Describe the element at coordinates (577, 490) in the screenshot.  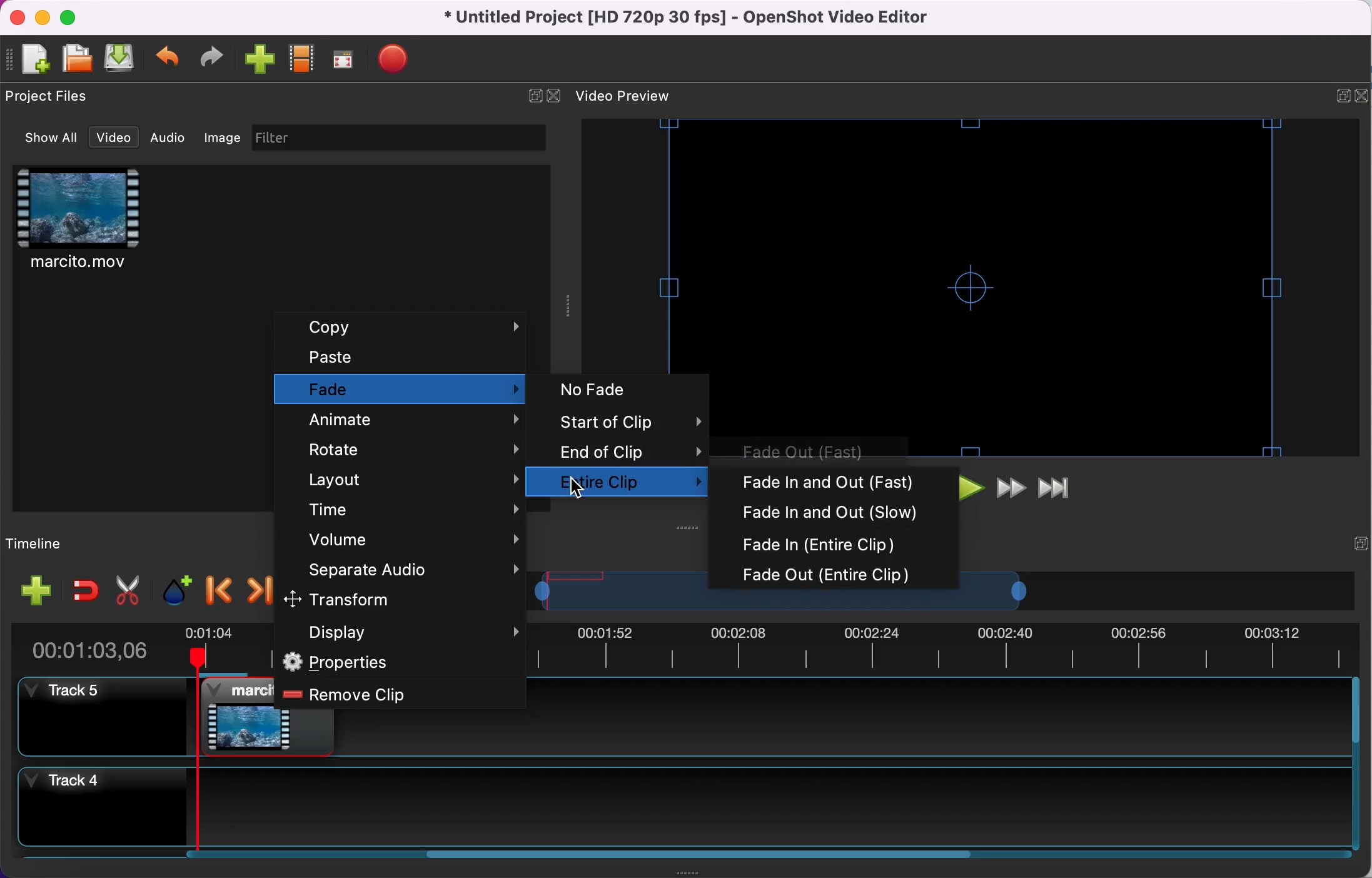
I see `Cursor` at that location.